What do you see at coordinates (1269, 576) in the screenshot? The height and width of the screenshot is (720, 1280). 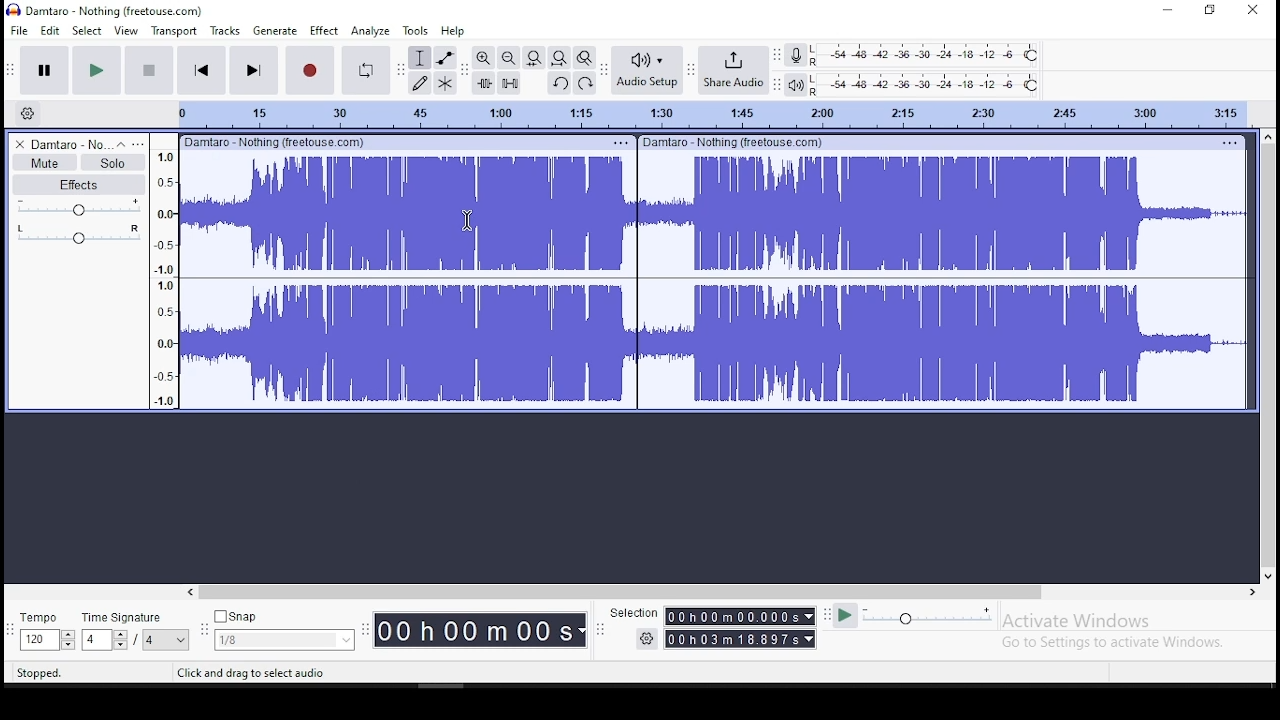 I see `scroll down` at bounding box center [1269, 576].